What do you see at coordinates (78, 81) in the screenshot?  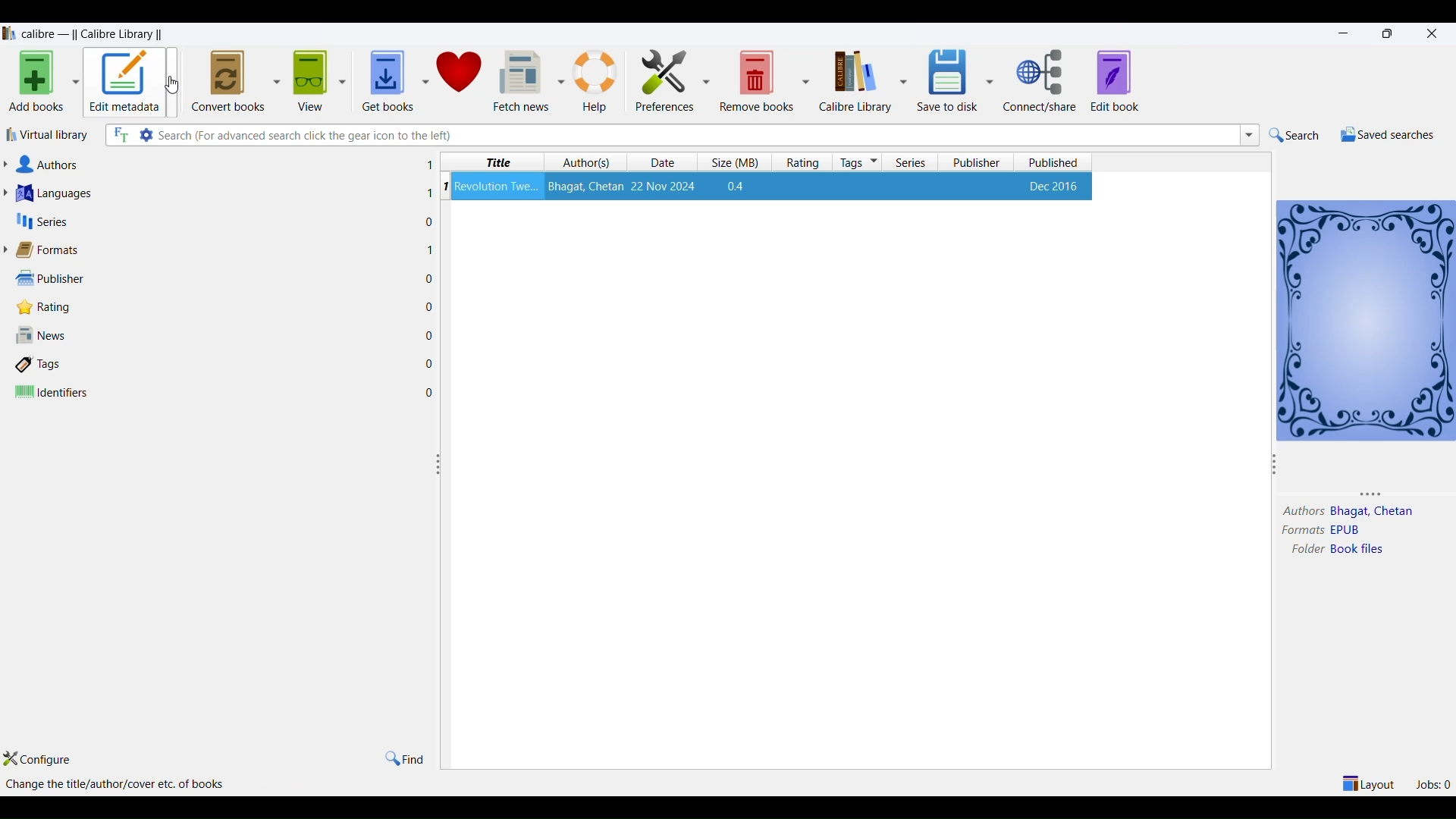 I see `add books option metadata` at bounding box center [78, 81].